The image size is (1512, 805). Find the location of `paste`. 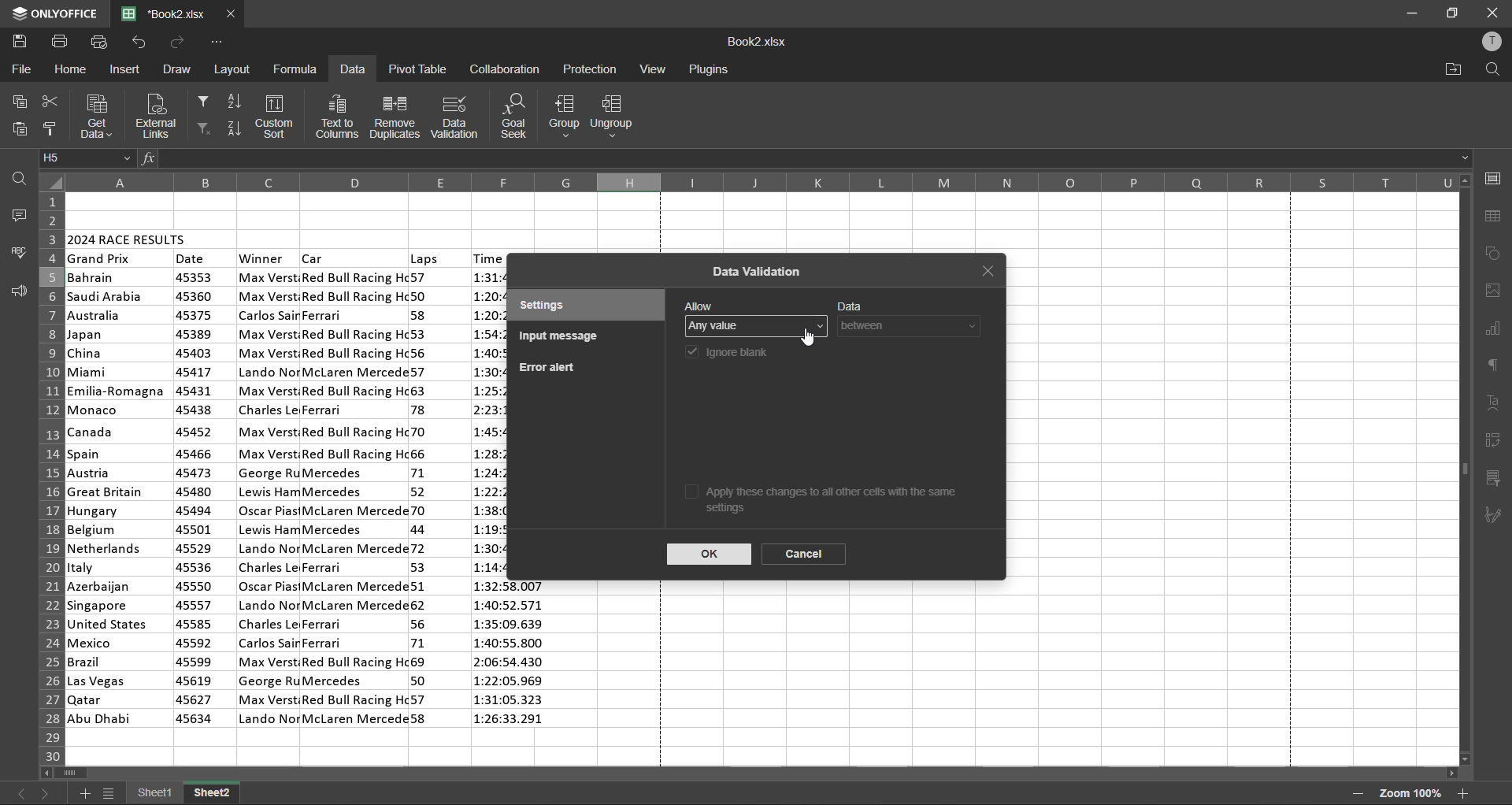

paste is located at coordinates (21, 128).